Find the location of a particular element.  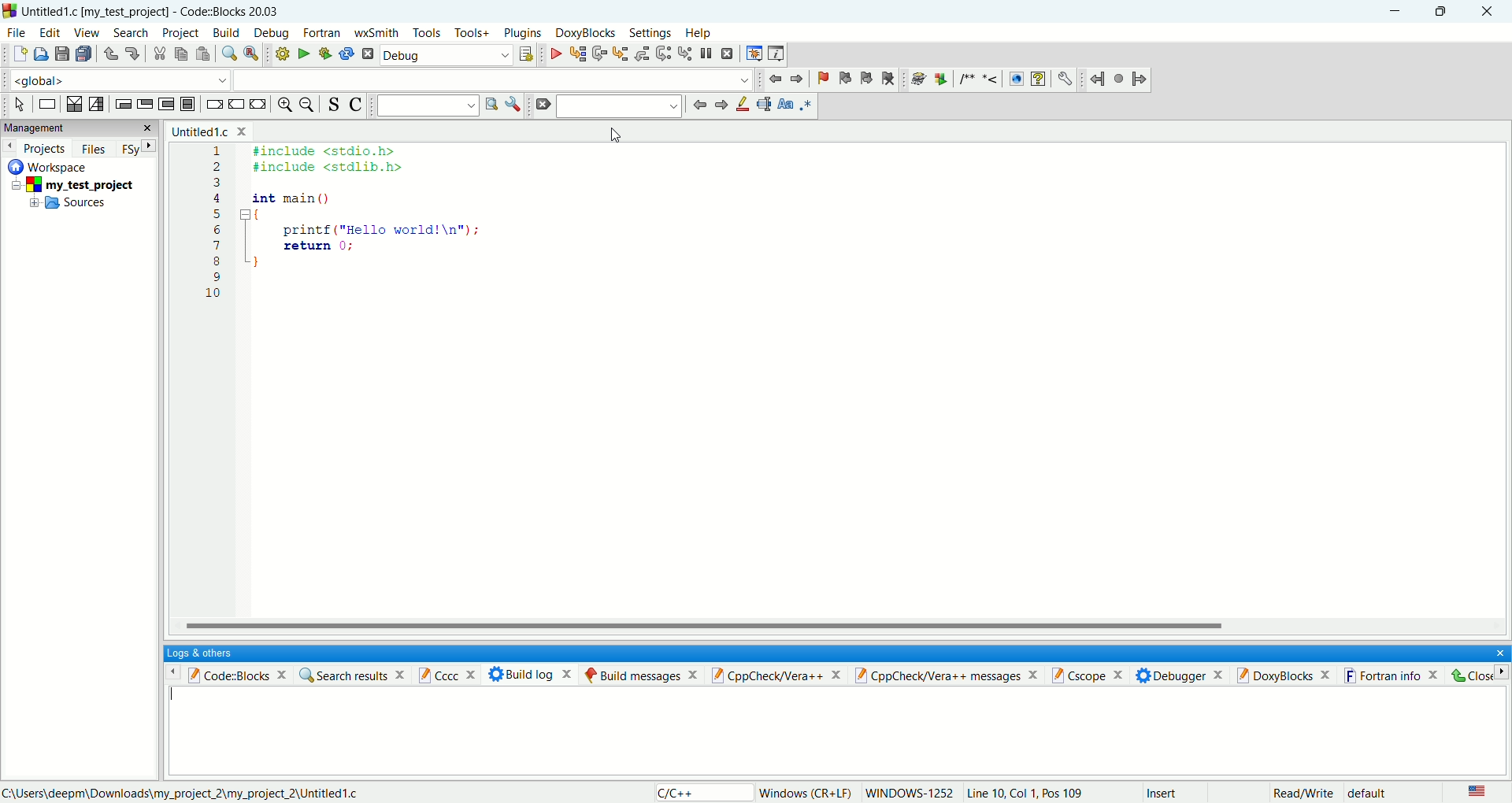

location is located at coordinates (180, 793).